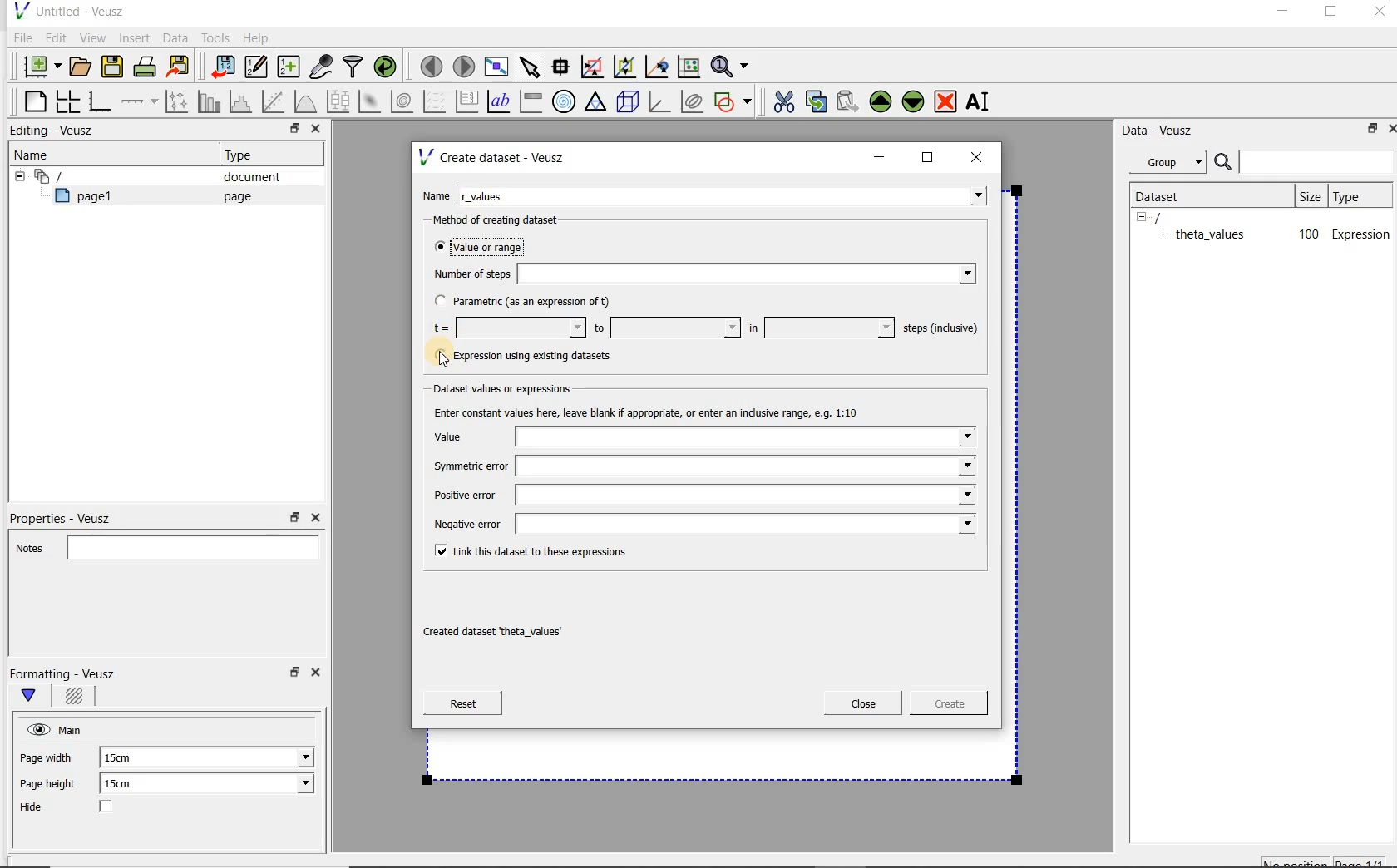  What do you see at coordinates (176, 37) in the screenshot?
I see `Data` at bounding box center [176, 37].